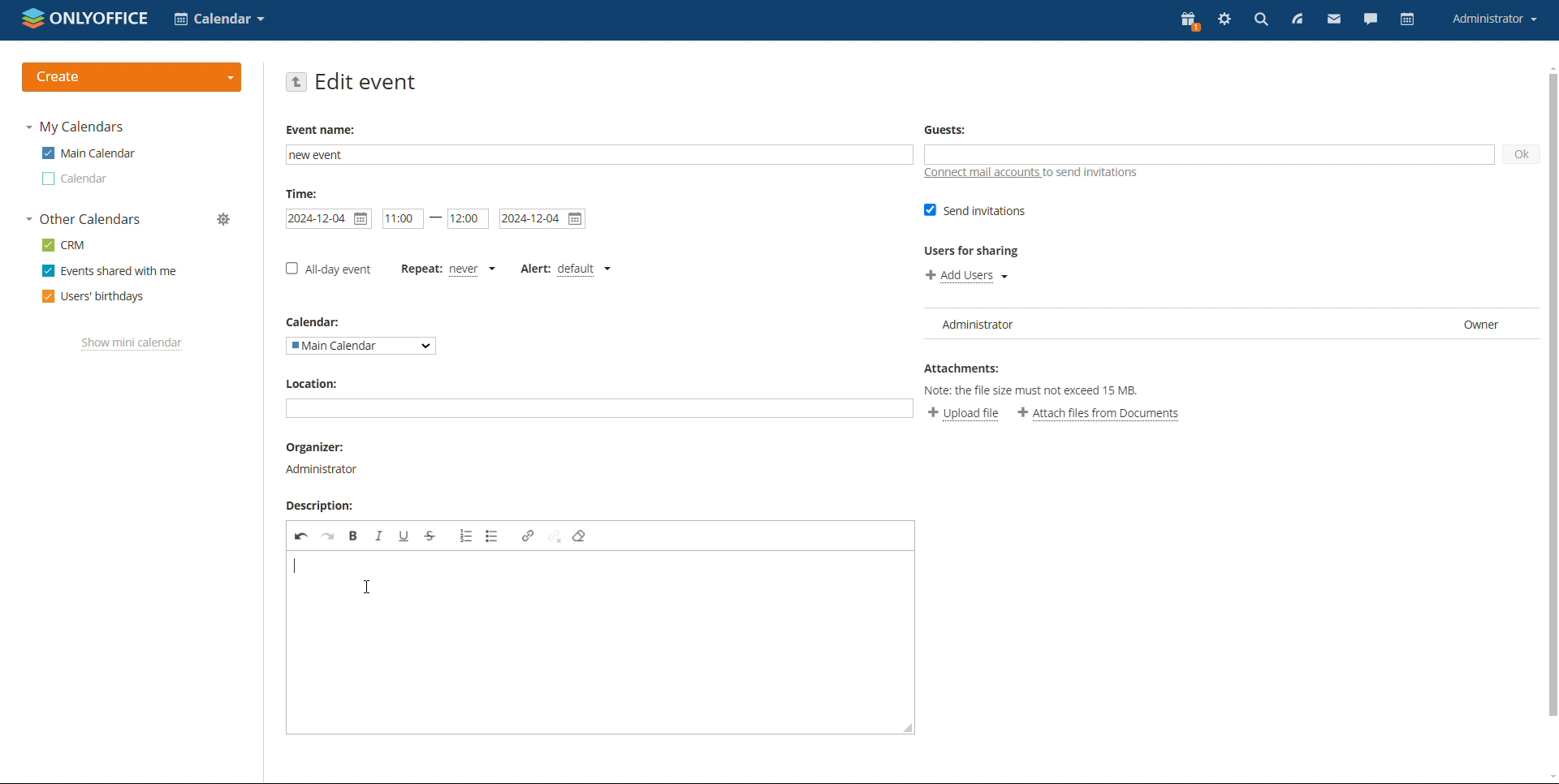  What do you see at coordinates (1036, 393) in the screenshot?
I see `Note: the file size must not exceed 15 MB.` at bounding box center [1036, 393].